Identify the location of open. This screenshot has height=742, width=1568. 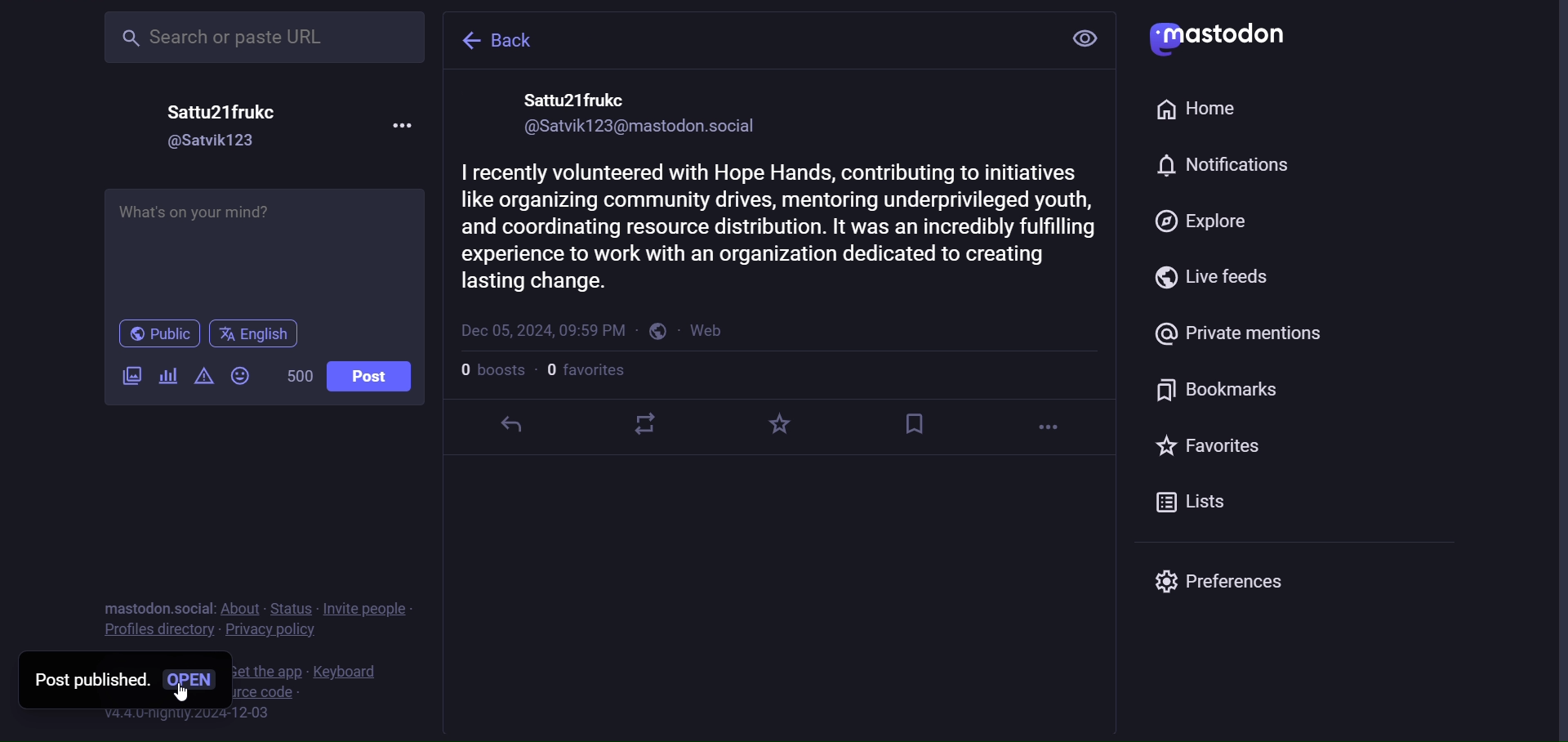
(195, 682).